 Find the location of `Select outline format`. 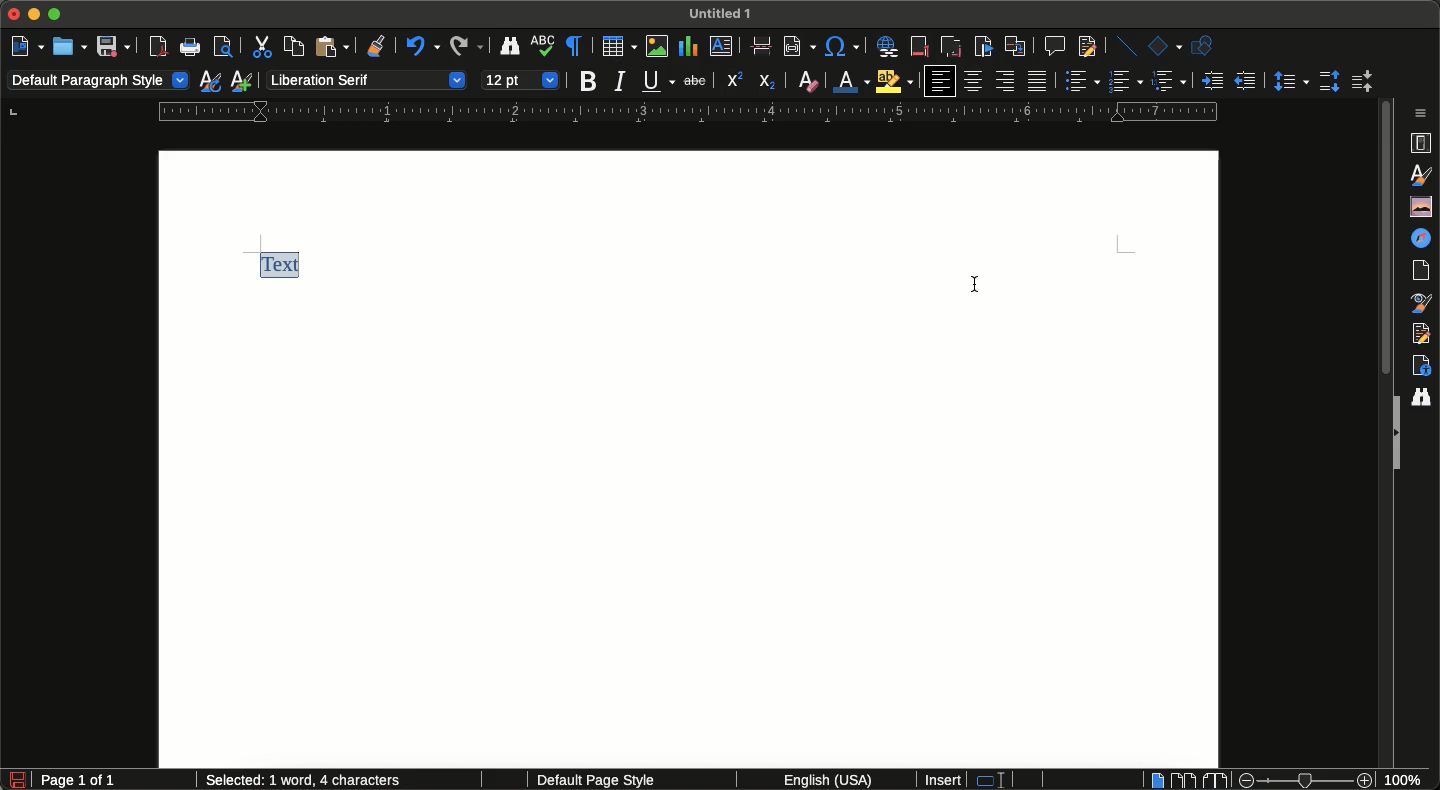

Select outline format is located at coordinates (1169, 81).